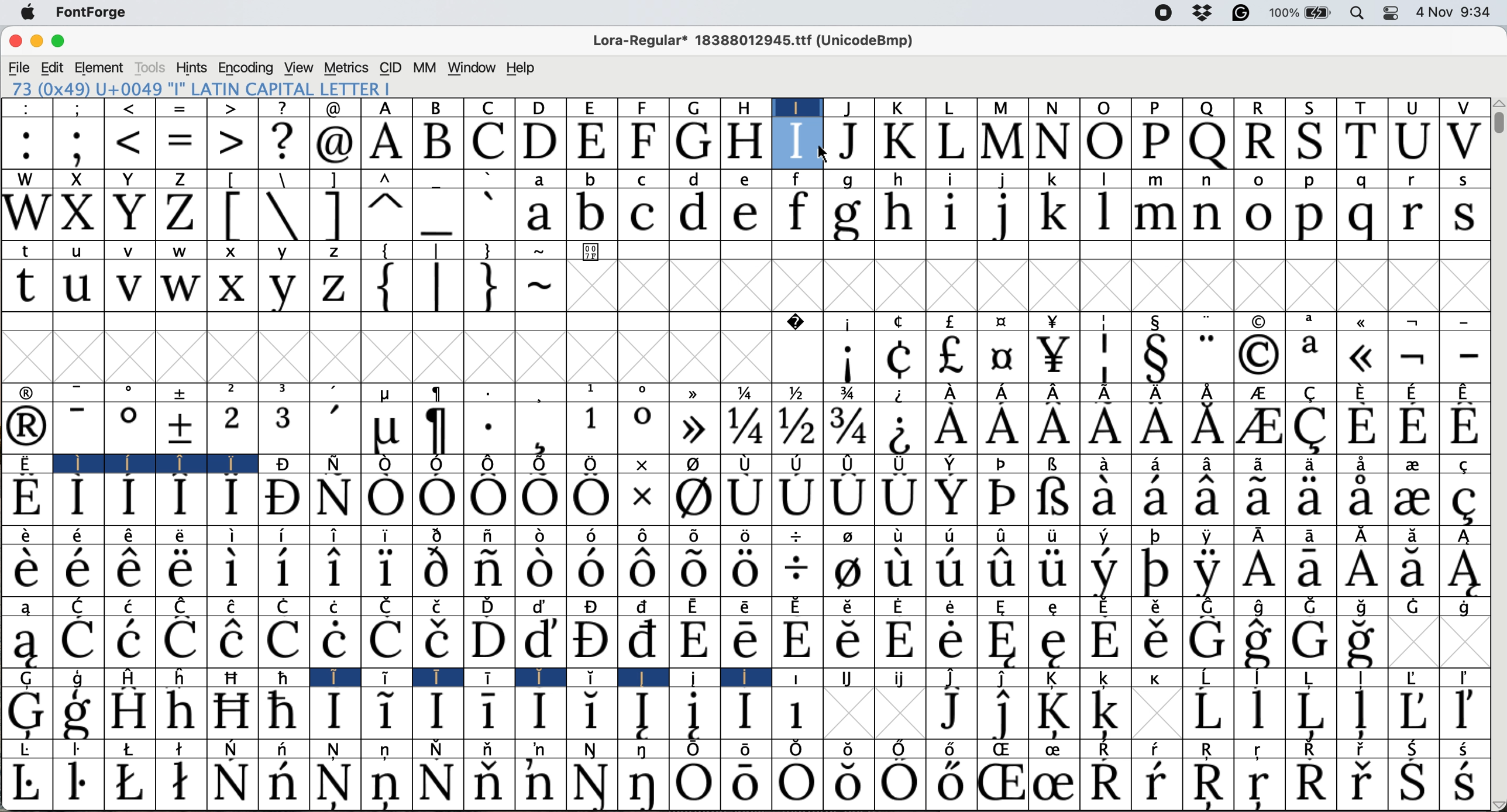 The height and width of the screenshot is (812, 1507). I want to click on g, so click(849, 216).